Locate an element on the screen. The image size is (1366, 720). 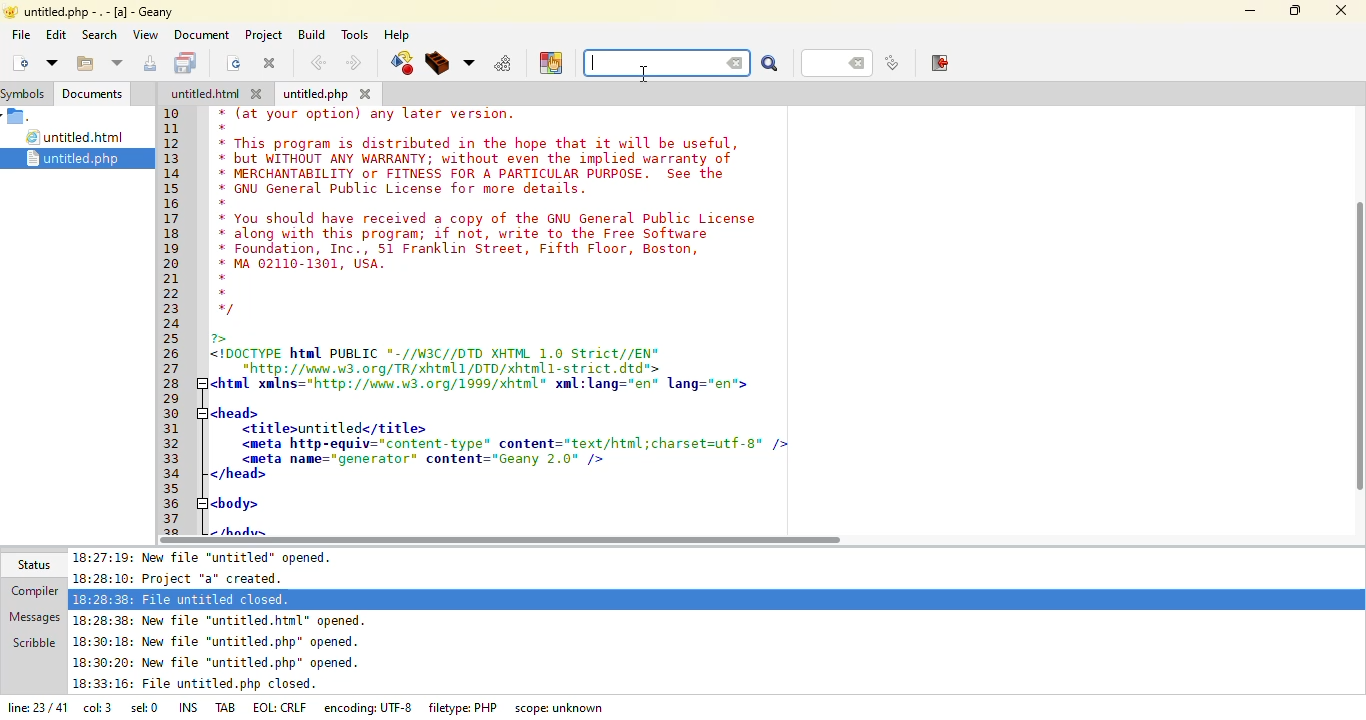
edit is located at coordinates (55, 34).